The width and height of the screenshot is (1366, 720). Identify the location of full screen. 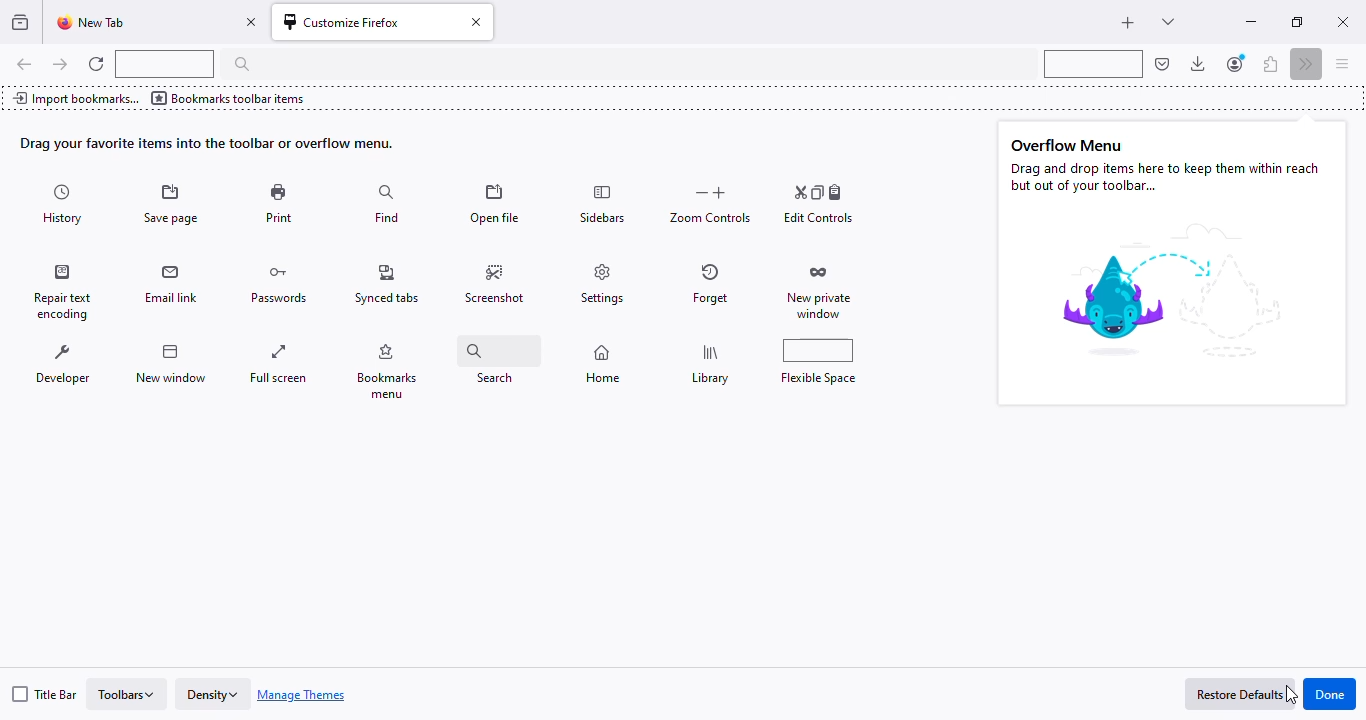
(280, 363).